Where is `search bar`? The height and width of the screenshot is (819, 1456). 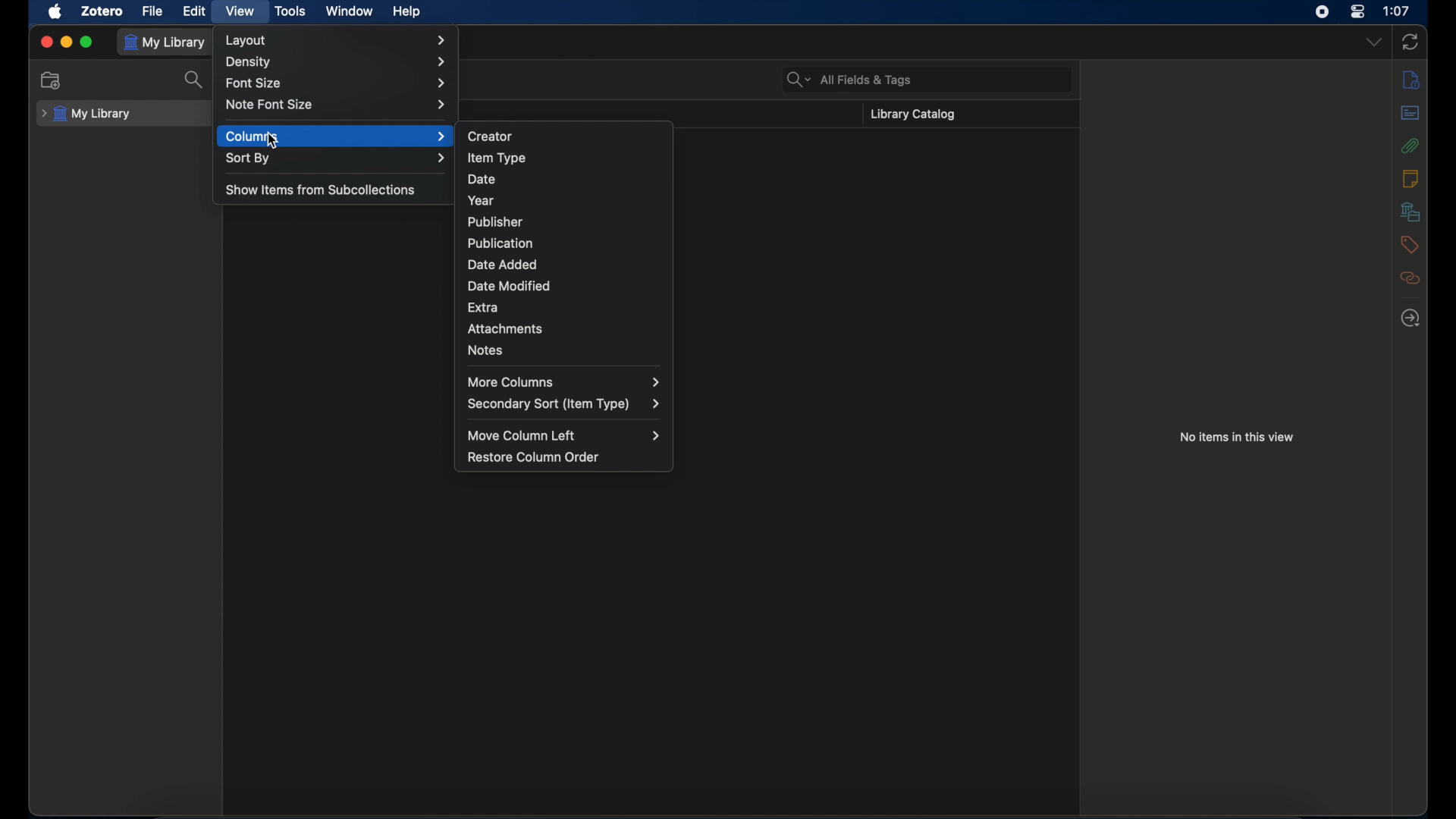 search bar is located at coordinates (849, 80).